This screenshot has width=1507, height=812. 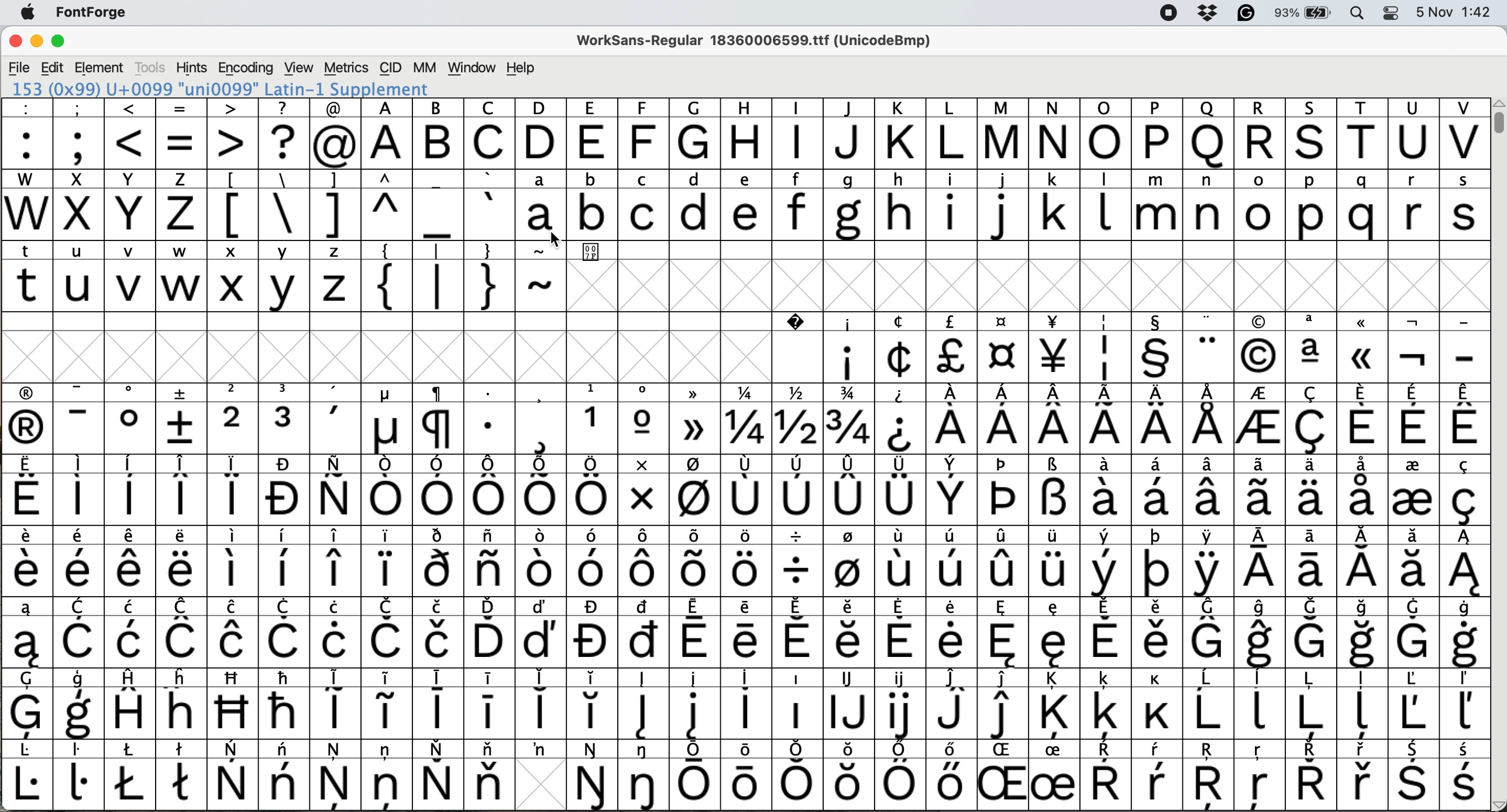 I want to click on symbol, so click(x=1414, y=632).